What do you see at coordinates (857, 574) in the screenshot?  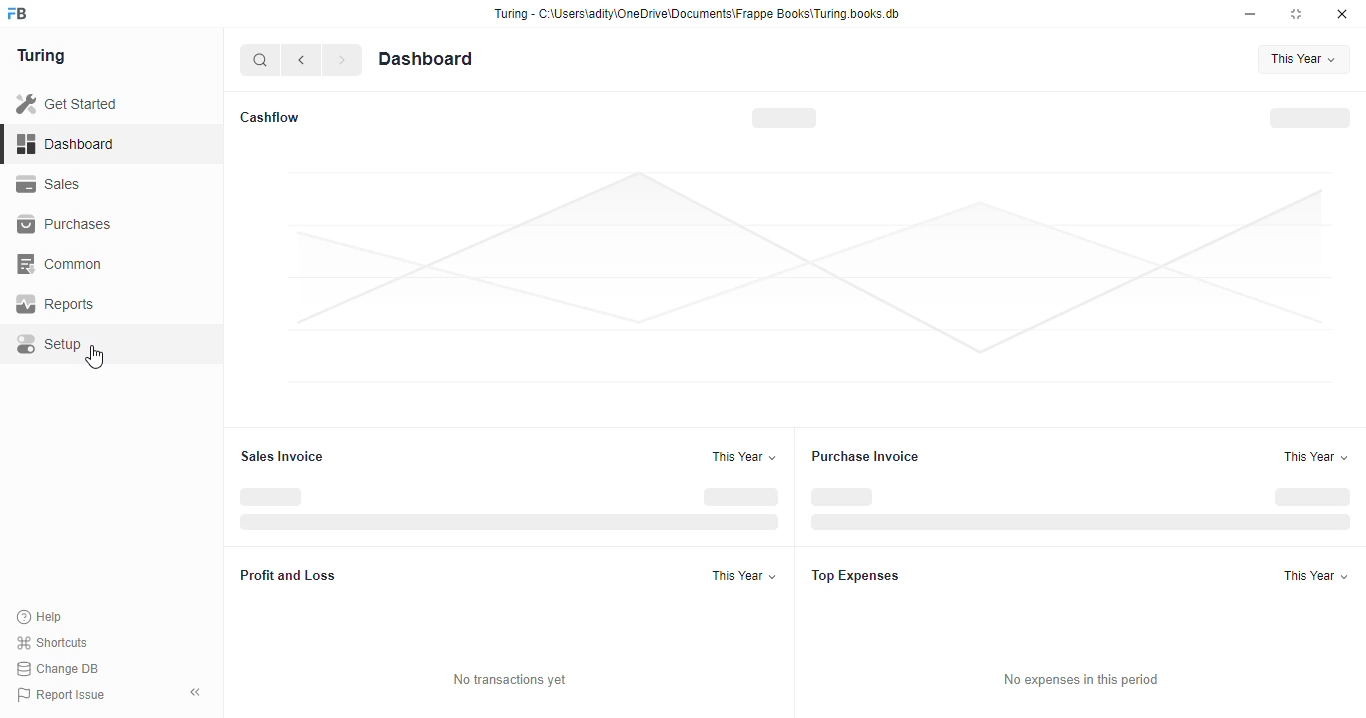 I see `Top Expenses.` at bounding box center [857, 574].